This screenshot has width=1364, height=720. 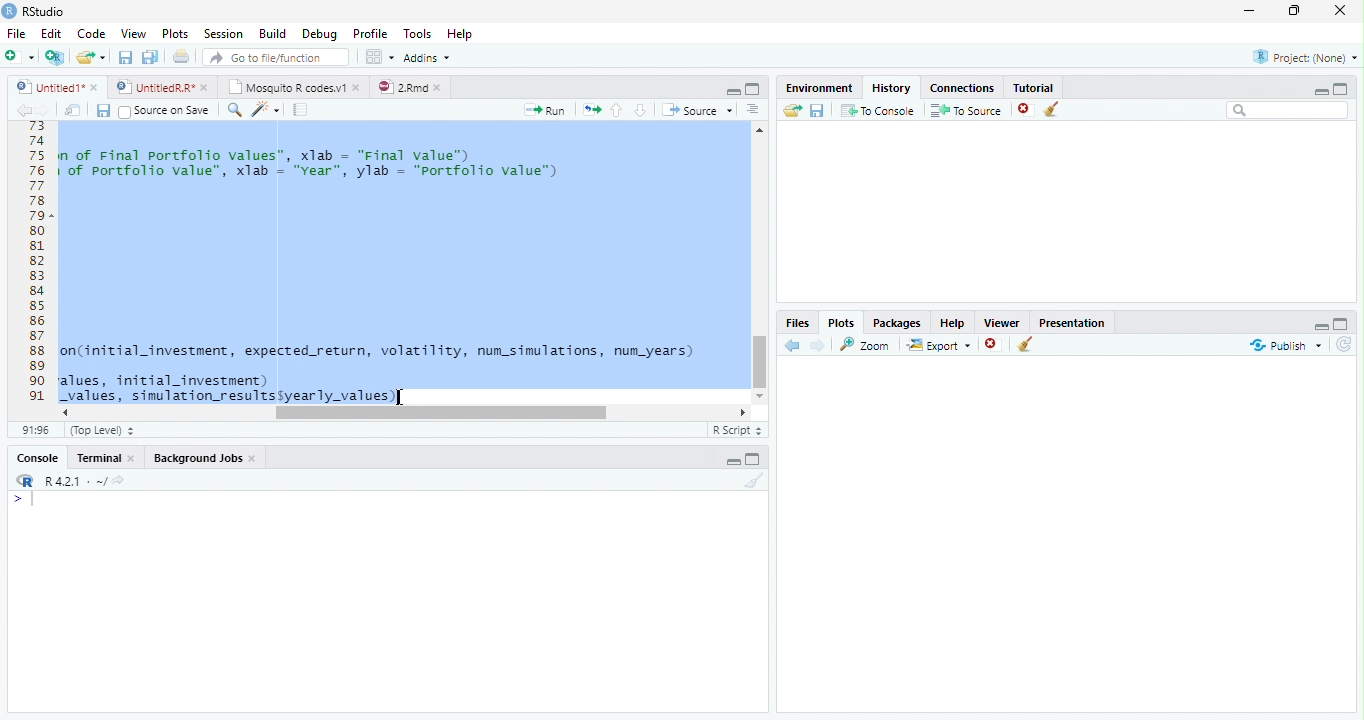 I want to click on Find and replace, so click(x=235, y=110).